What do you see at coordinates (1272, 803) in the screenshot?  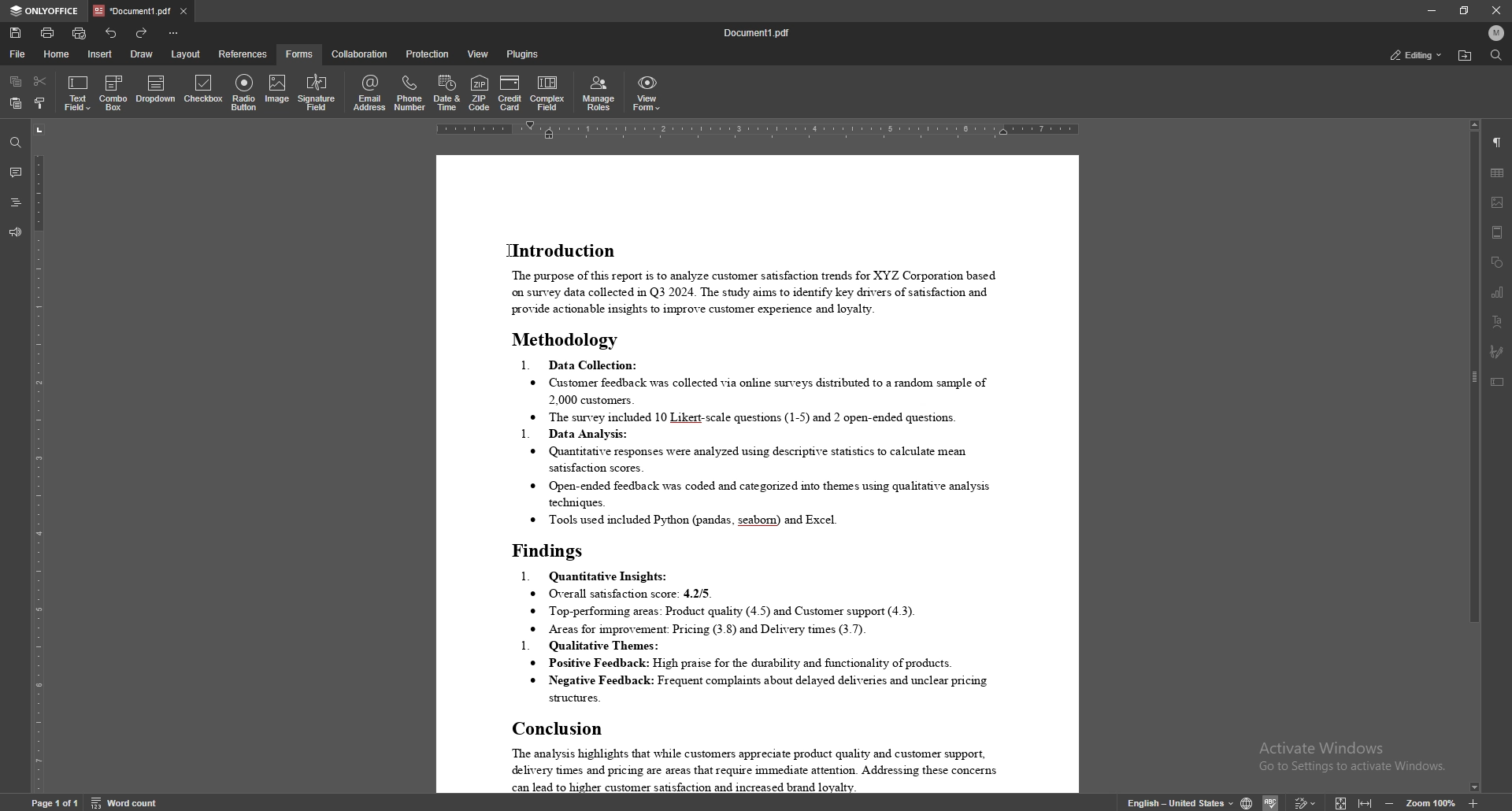 I see `spell check` at bounding box center [1272, 803].